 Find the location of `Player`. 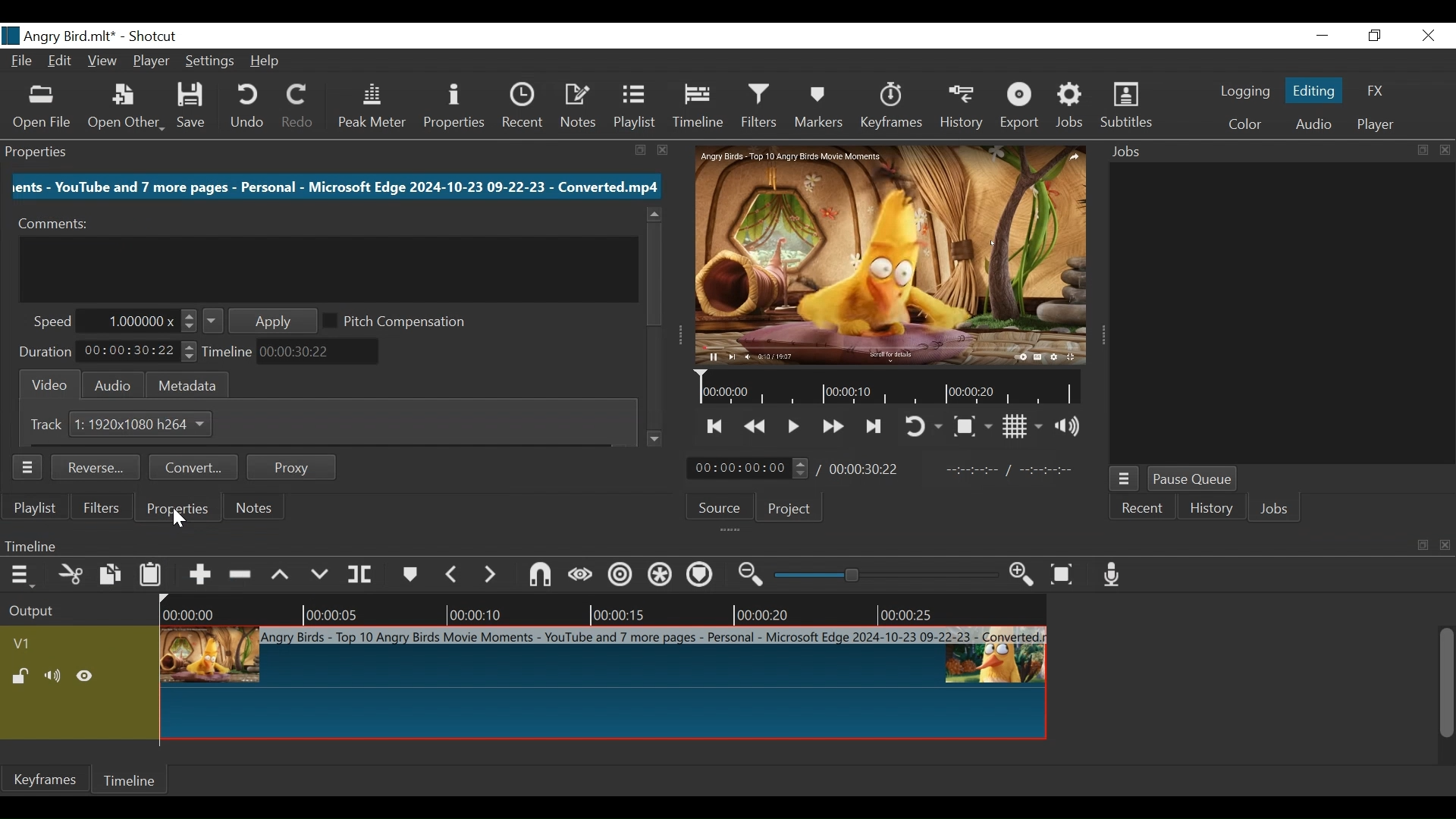

Player is located at coordinates (1376, 124).